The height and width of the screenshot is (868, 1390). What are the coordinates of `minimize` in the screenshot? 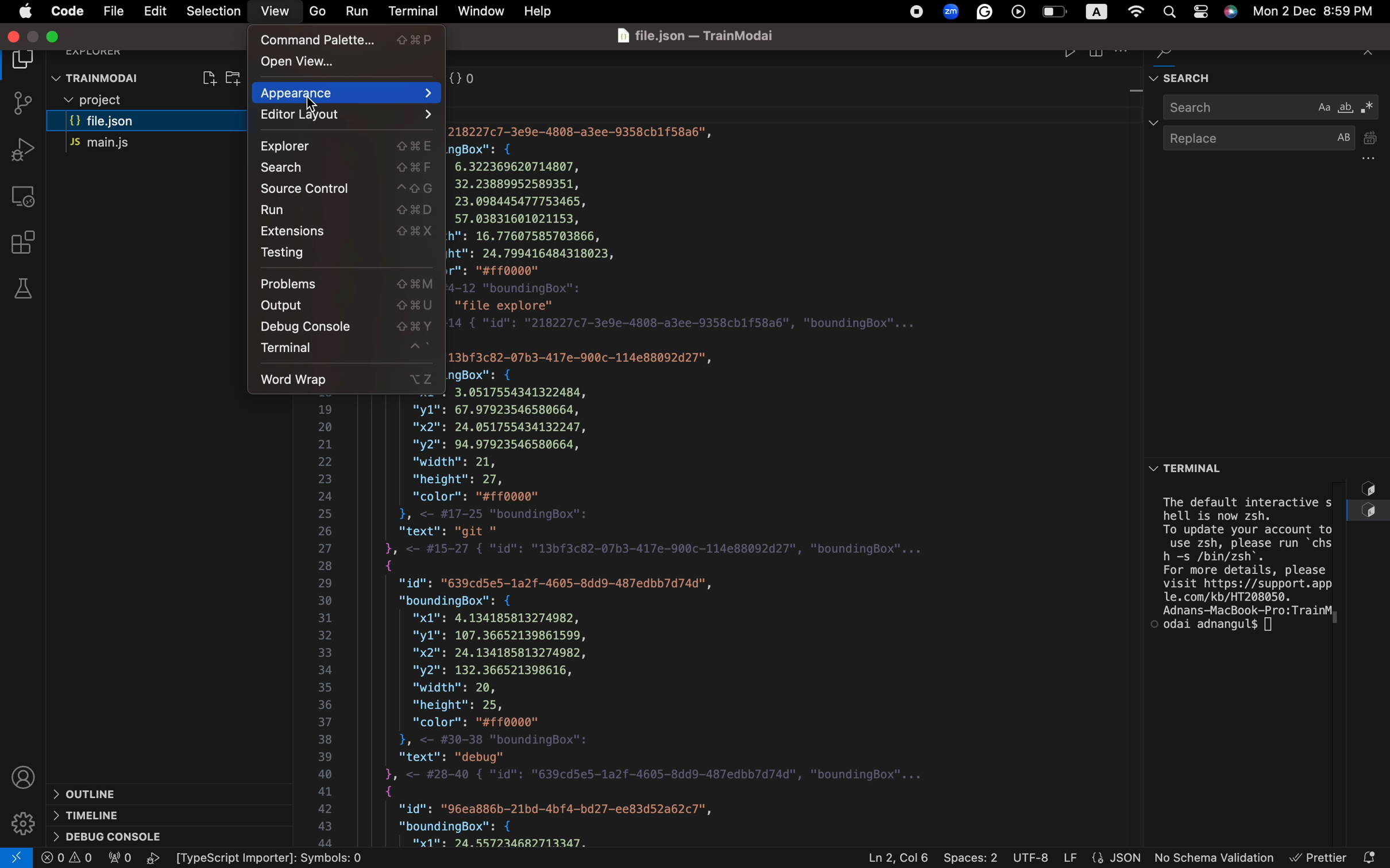 It's located at (55, 38).